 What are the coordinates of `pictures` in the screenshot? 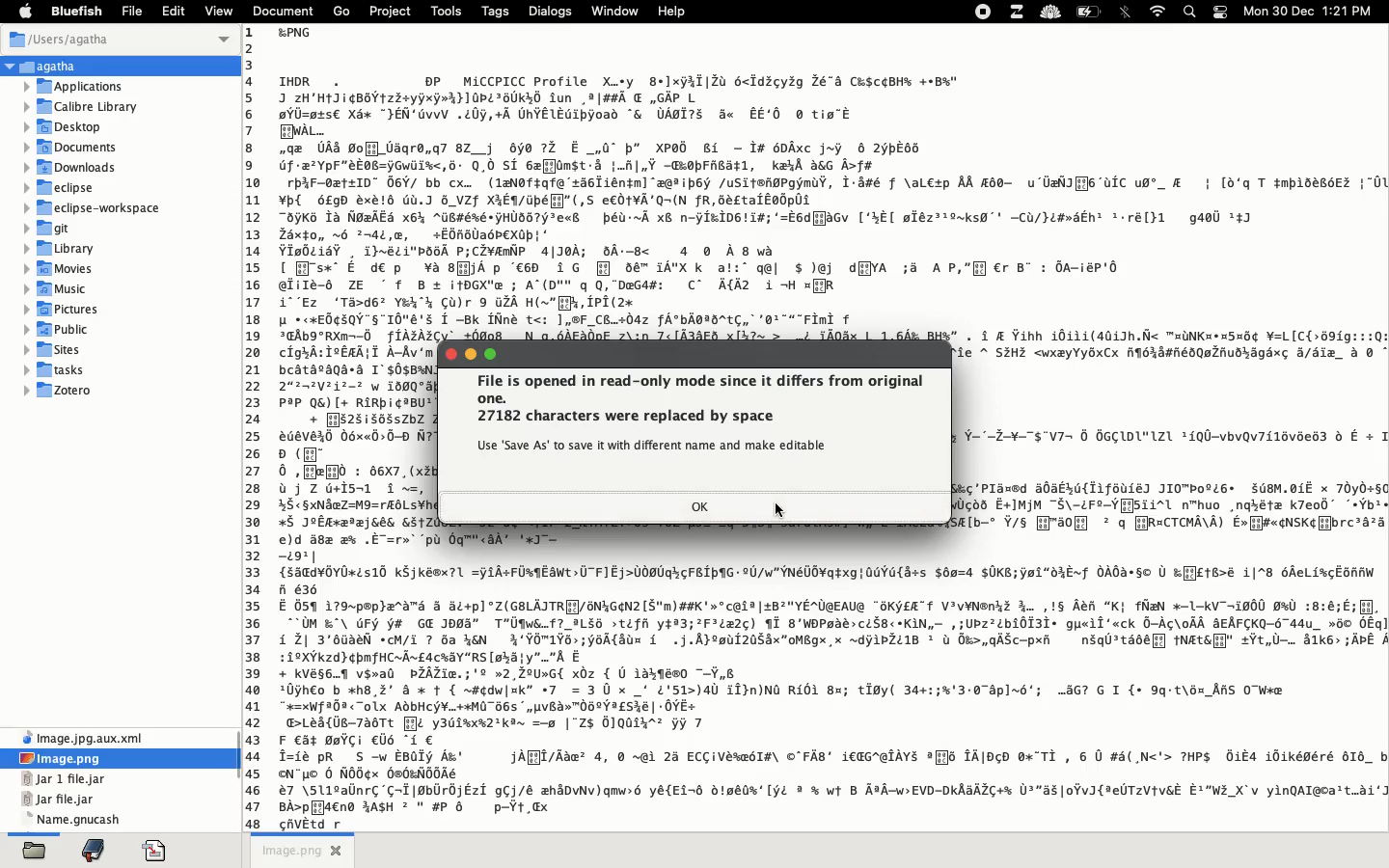 It's located at (64, 308).